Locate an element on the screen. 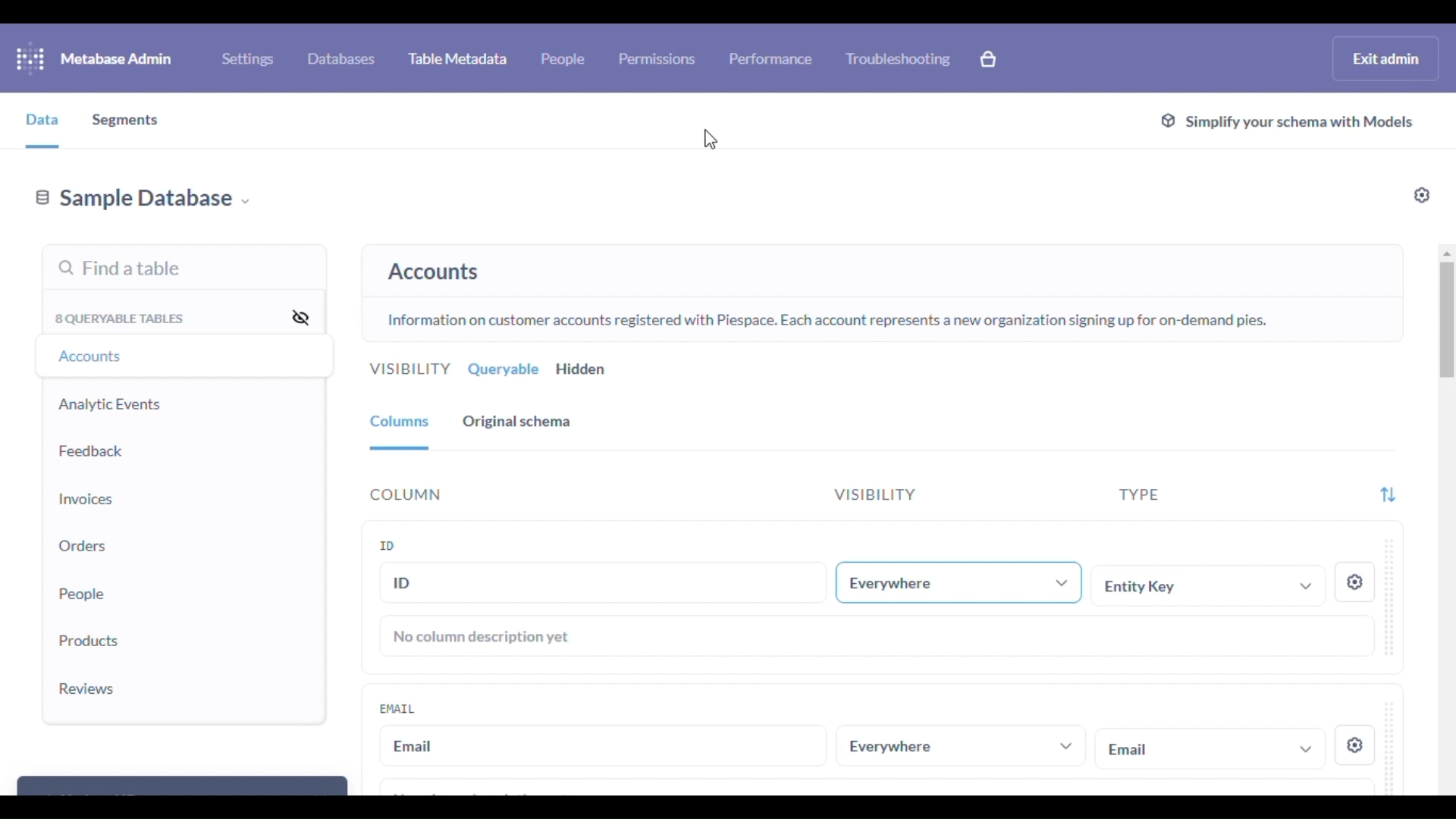  settings is located at coordinates (1423, 195).